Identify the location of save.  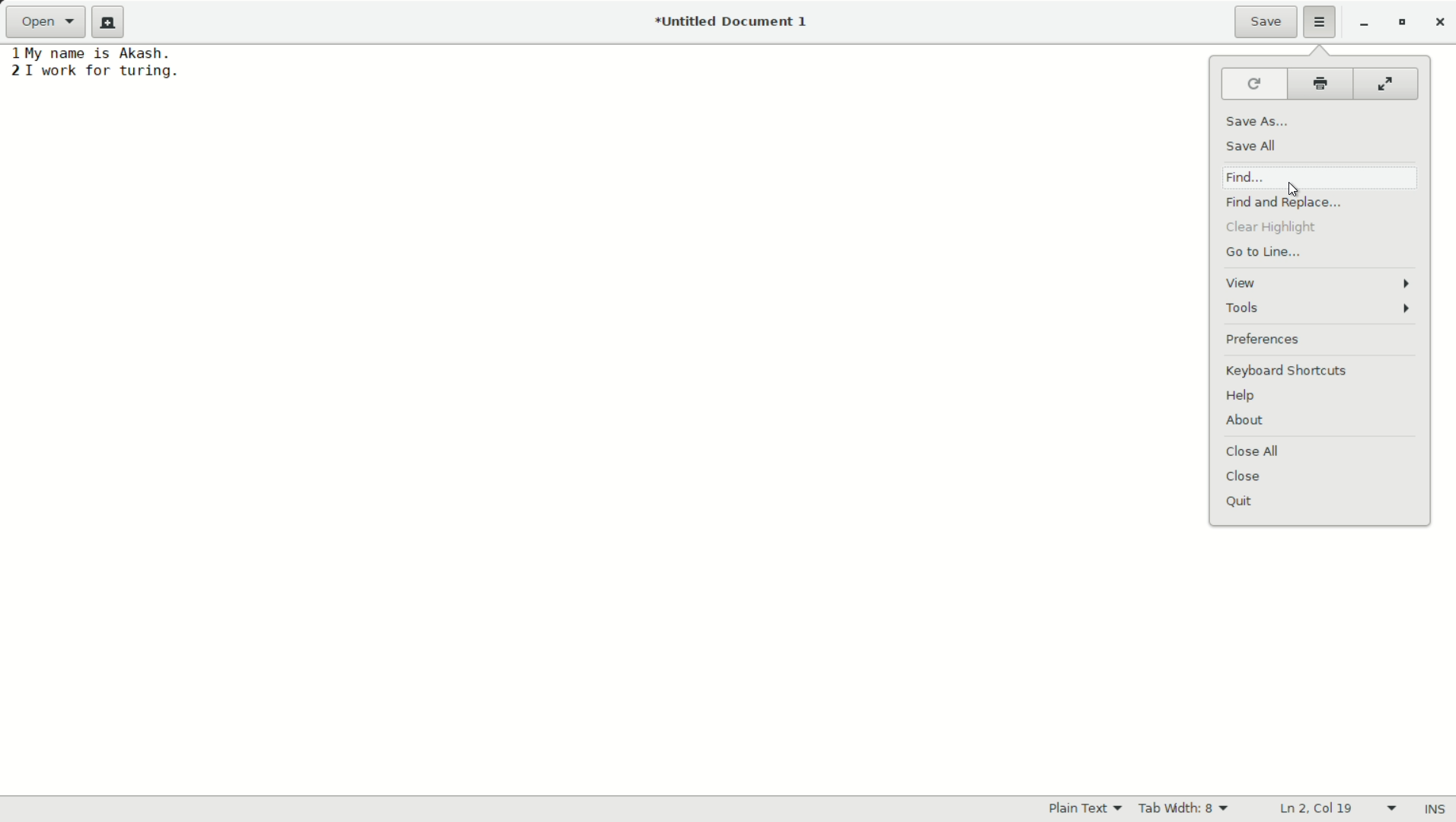
(1267, 22).